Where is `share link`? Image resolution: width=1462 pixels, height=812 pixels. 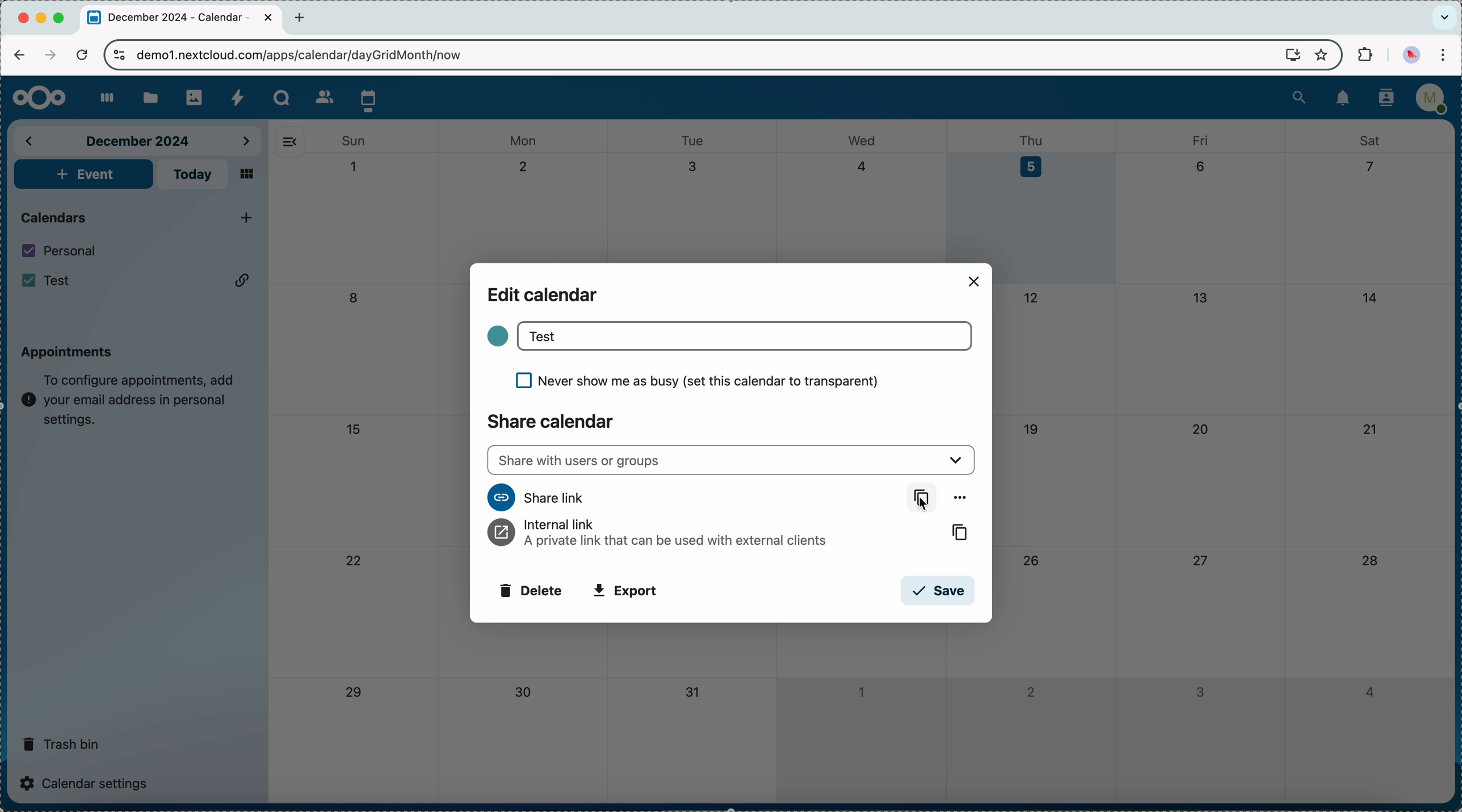
share link is located at coordinates (536, 497).